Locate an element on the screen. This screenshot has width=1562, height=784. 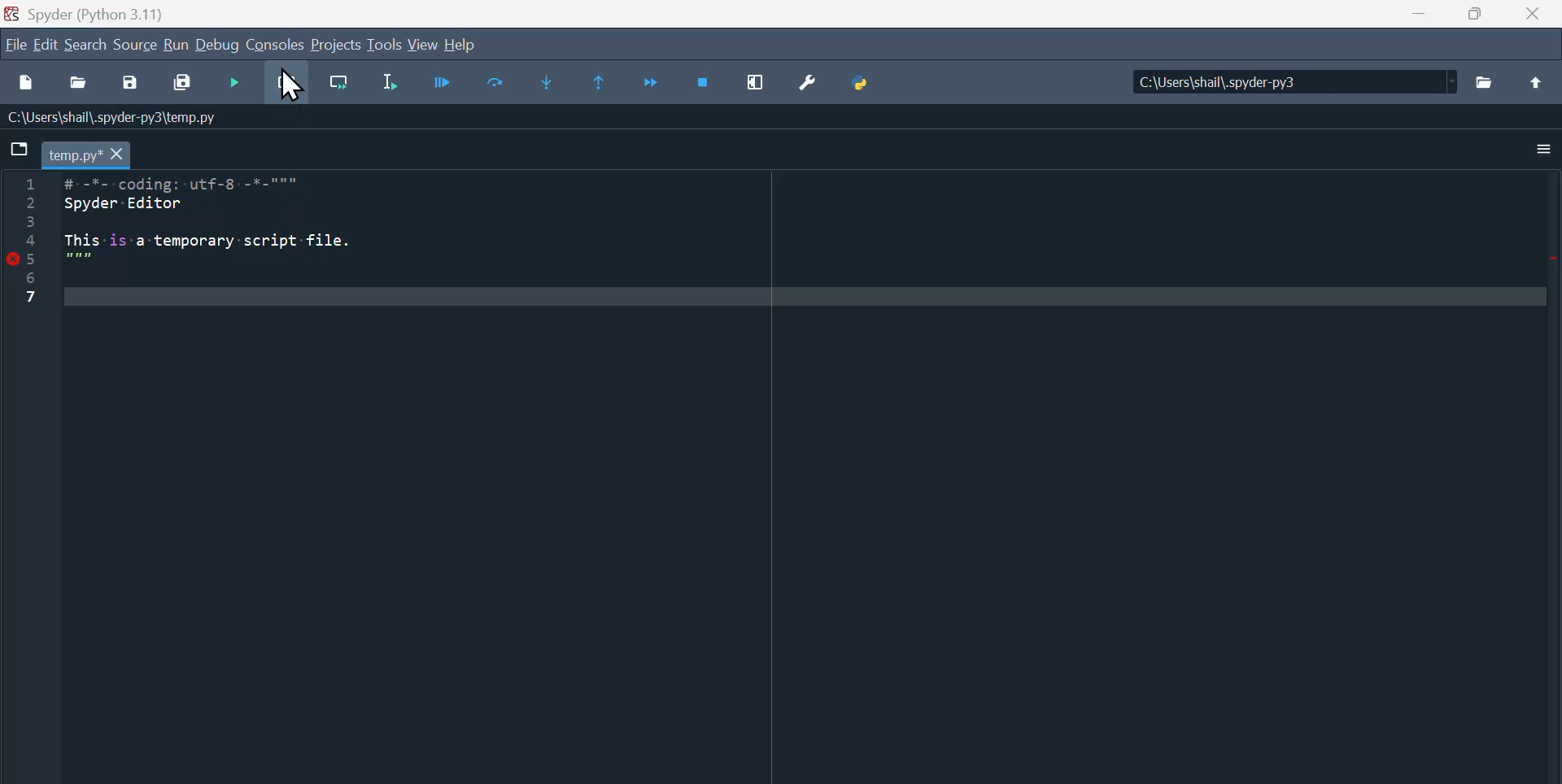
Run Cell is located at coordinates (499, 83).